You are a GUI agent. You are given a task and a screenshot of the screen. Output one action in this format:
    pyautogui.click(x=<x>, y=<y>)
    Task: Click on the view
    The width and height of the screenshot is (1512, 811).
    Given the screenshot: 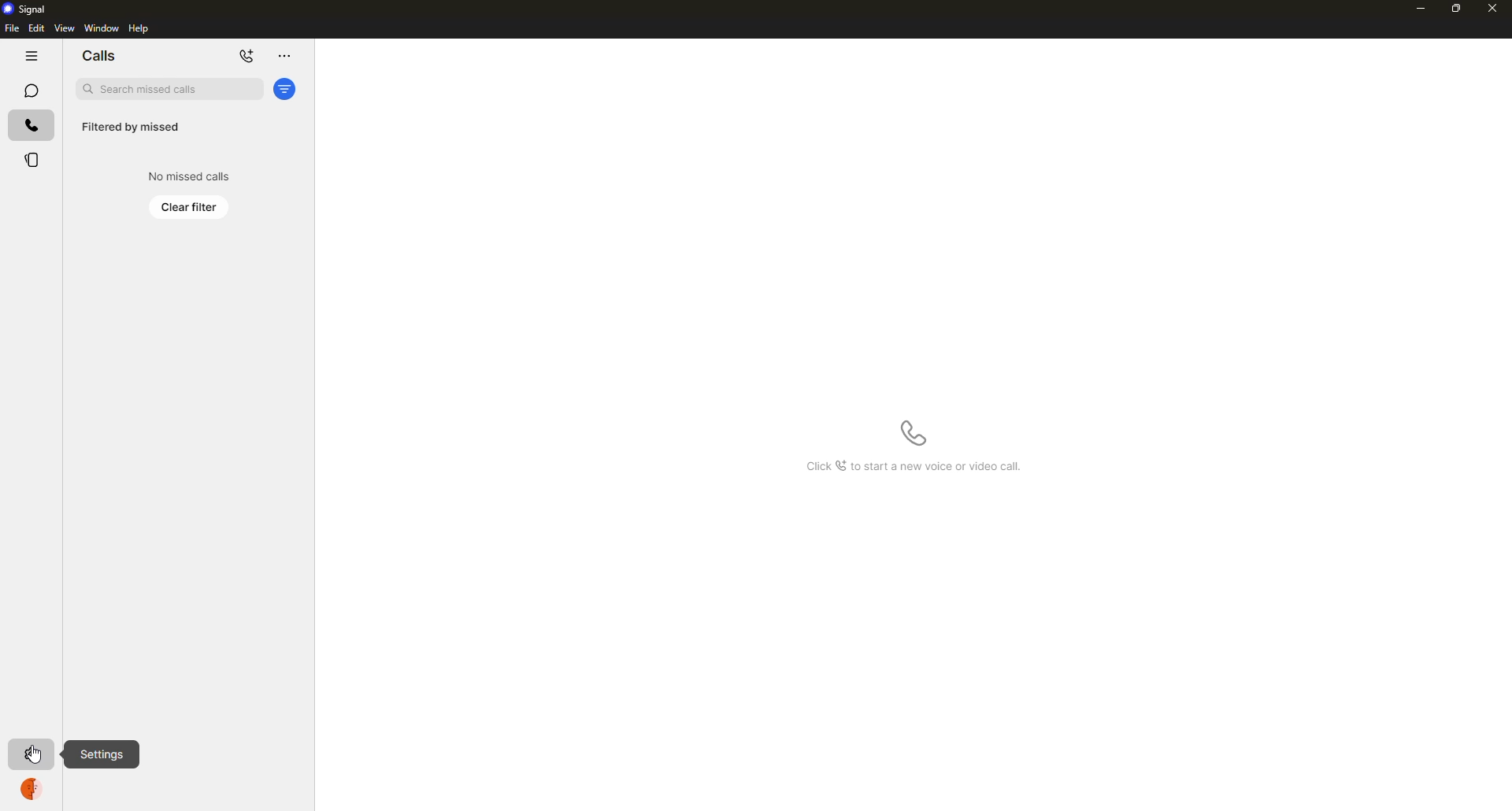 What is the action you would take?
    pyautogui.click(x=64, y=28)
    